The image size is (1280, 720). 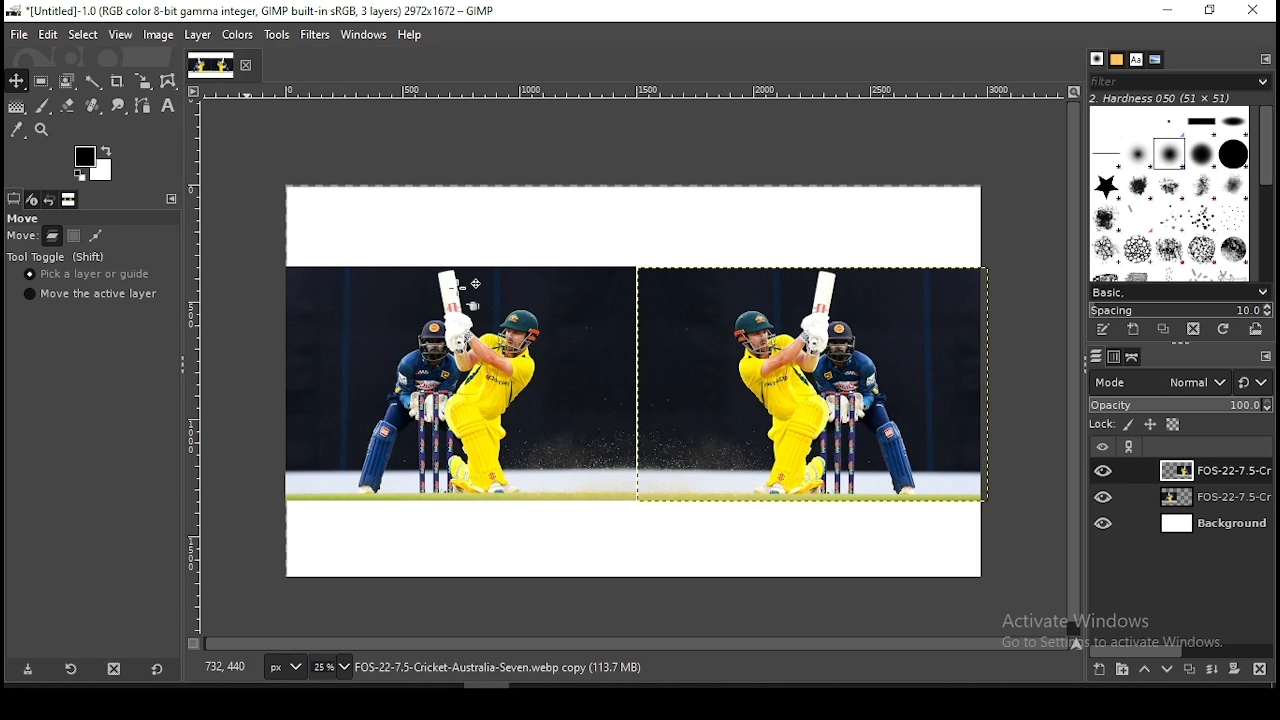 What do you see at coordinates (73, 236) in the screenshot?
I see `move channels` at bounding box center [73, 236].